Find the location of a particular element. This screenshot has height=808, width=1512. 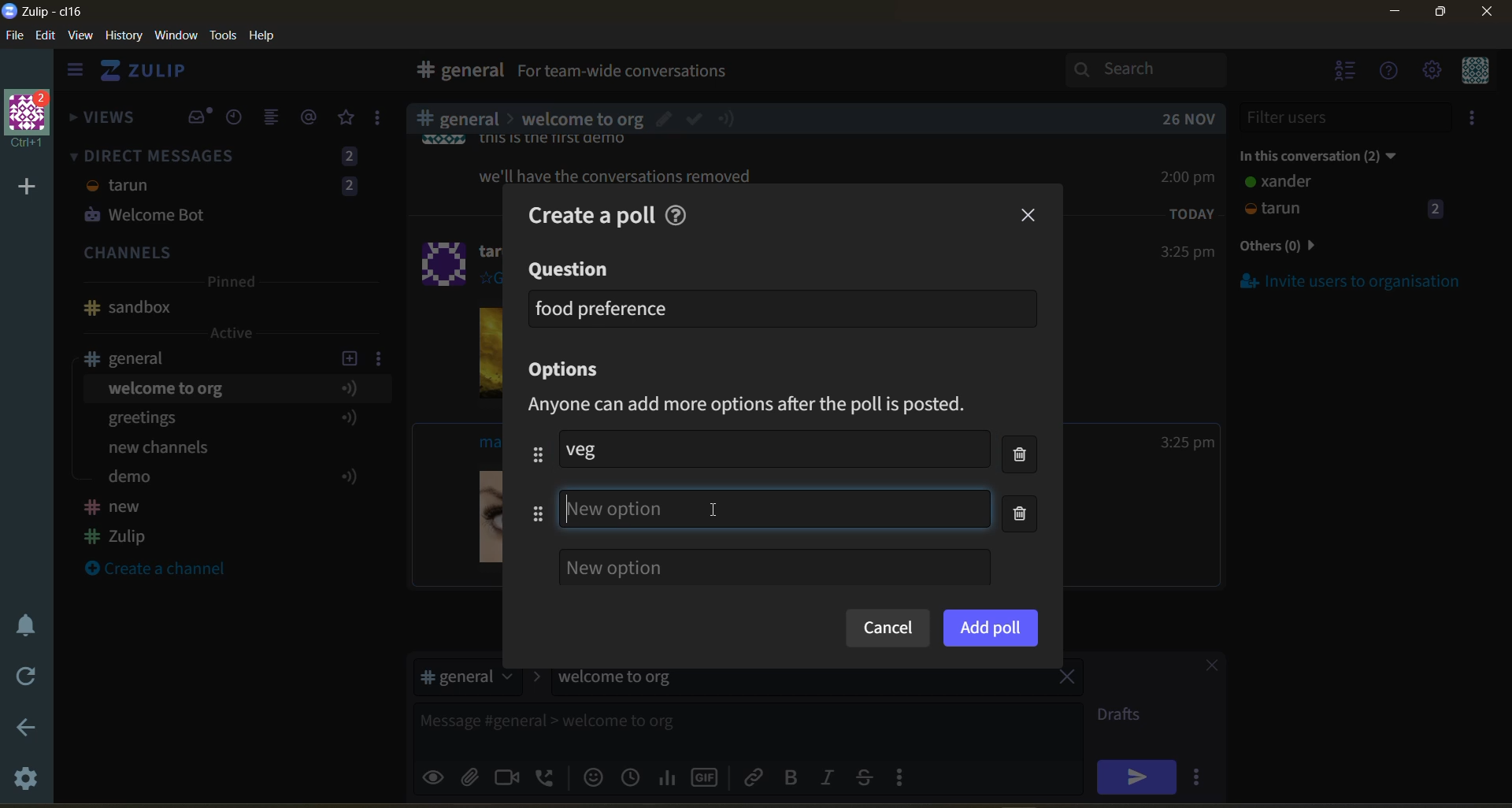

settings menu is located at coordinates (1431, 72).